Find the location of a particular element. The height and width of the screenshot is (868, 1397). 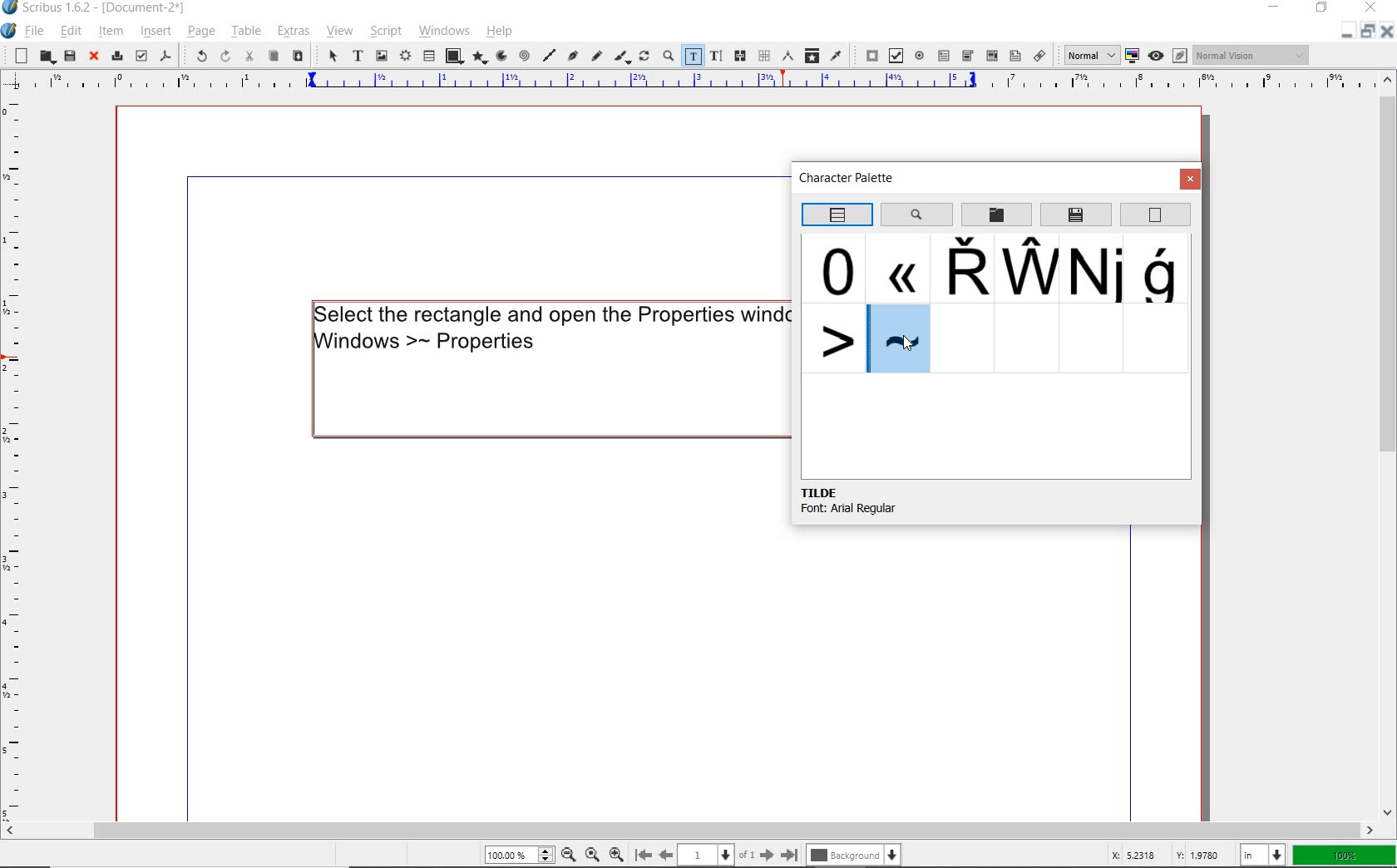

restore is located at coordinates (1322, 9).